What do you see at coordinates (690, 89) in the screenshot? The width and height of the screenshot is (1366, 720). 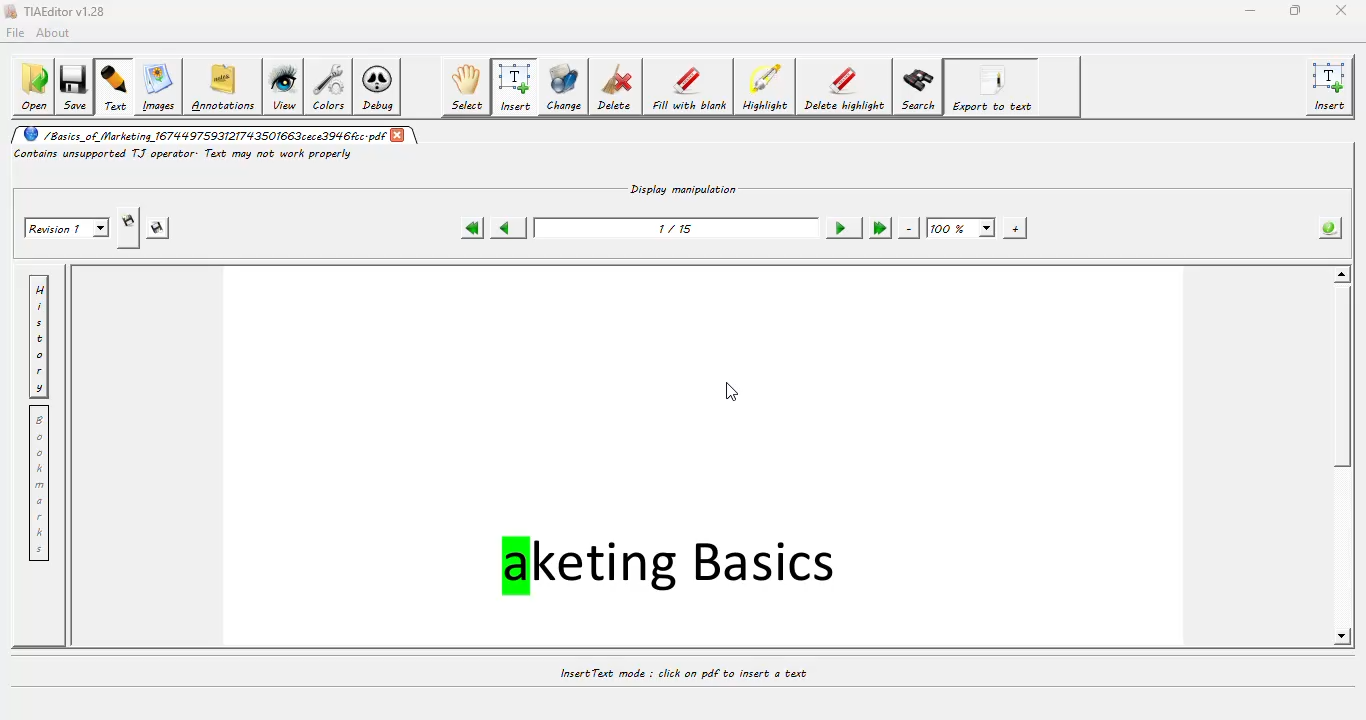 I see `fill with blank` at bounding box center [690, 89].